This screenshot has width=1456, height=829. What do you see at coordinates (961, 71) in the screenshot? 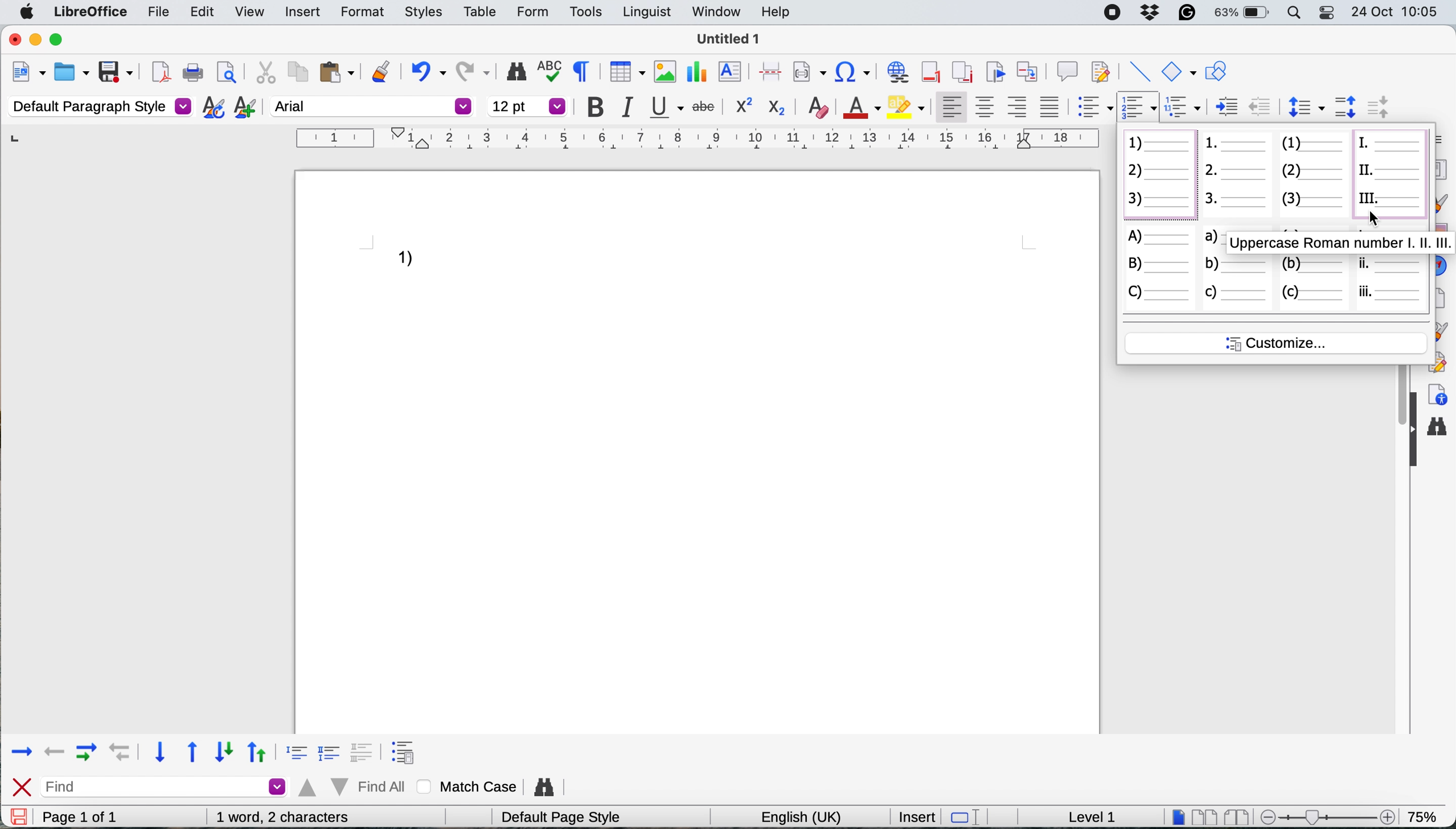
I see `insert endnote` at bounding box center [961, 71].